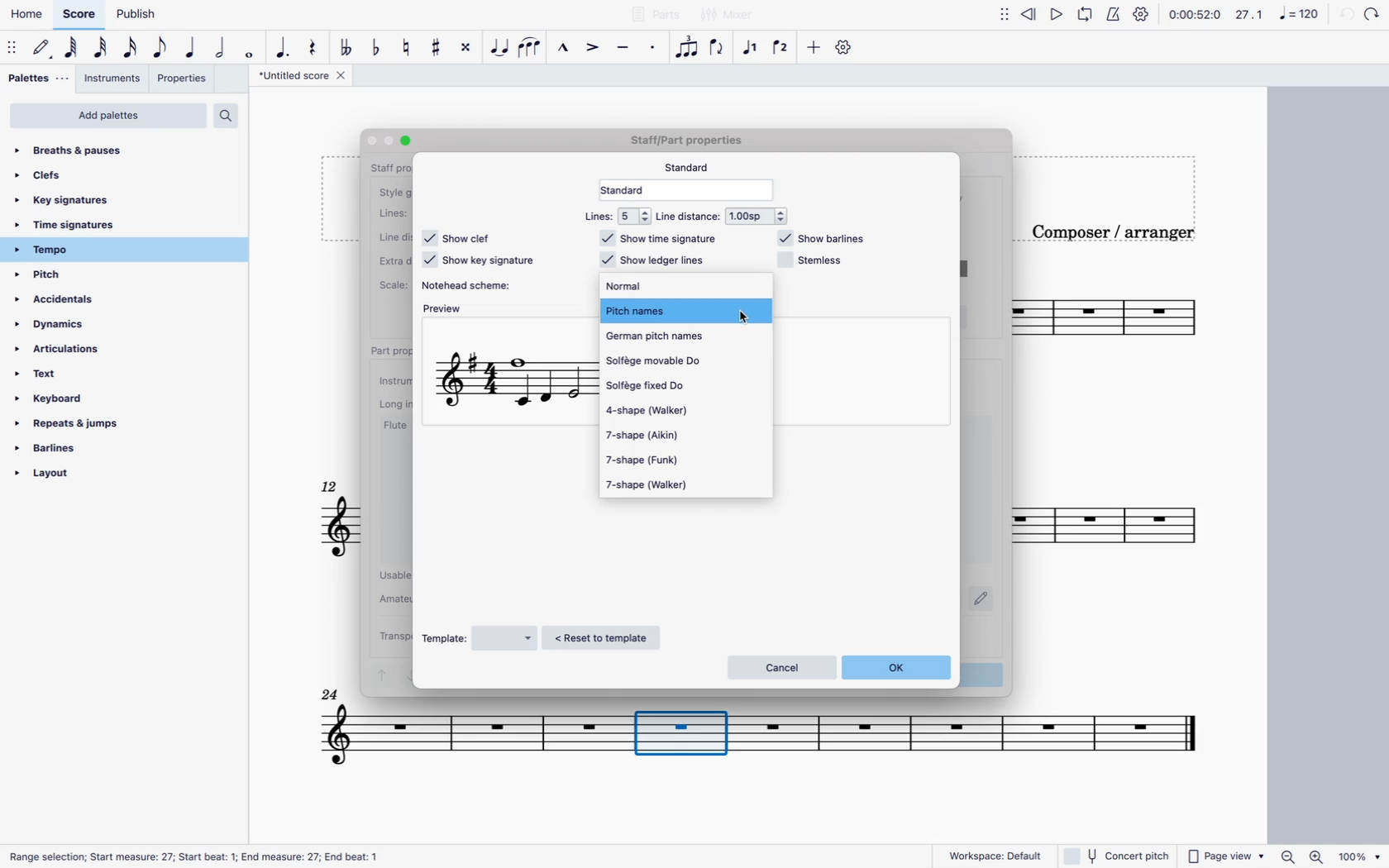  What do you see at coordinates (812, 261) in the screenshot?
I see `stemless` at bounding box center [812, 261].